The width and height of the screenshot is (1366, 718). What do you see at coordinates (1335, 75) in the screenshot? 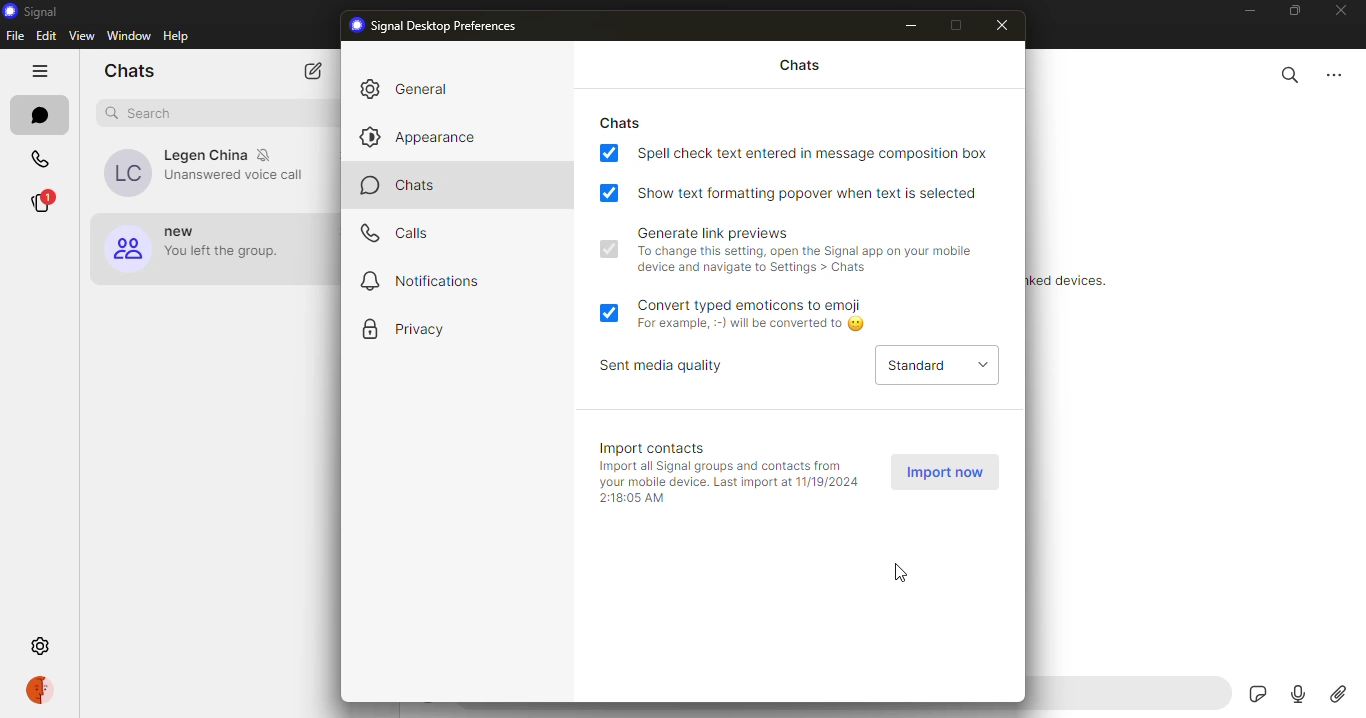
I see `more` at bounding box center [1335, 75].